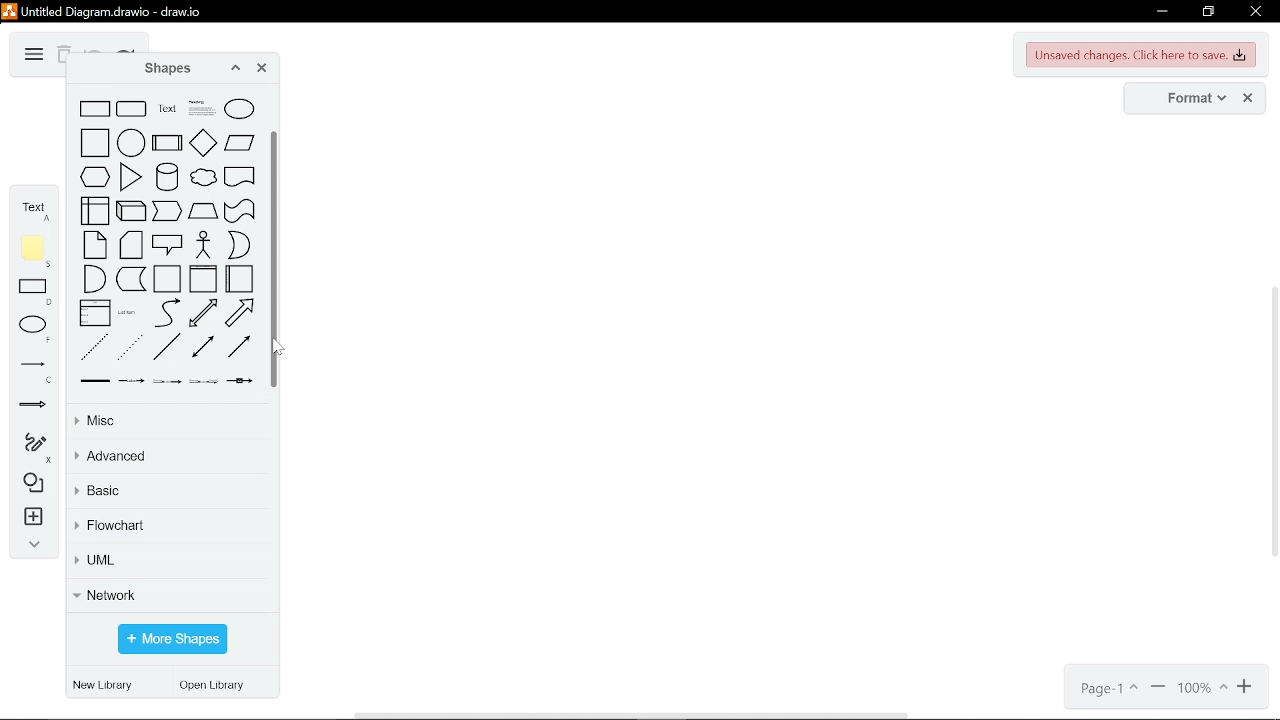  Describe the element at coordinates (166, 563) in the screenshot. I see `UML` at that location.